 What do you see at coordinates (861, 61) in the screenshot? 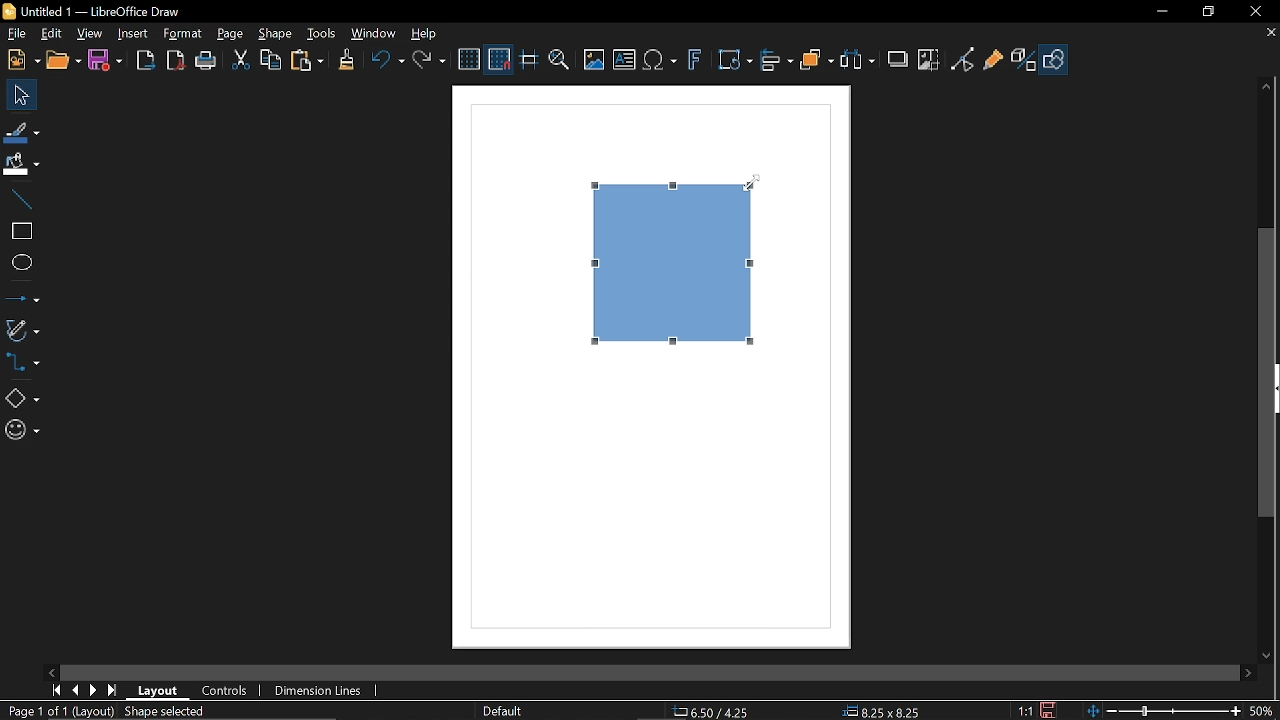
I see `Select at least three objects to distribute` at bounding box center [861, 61].